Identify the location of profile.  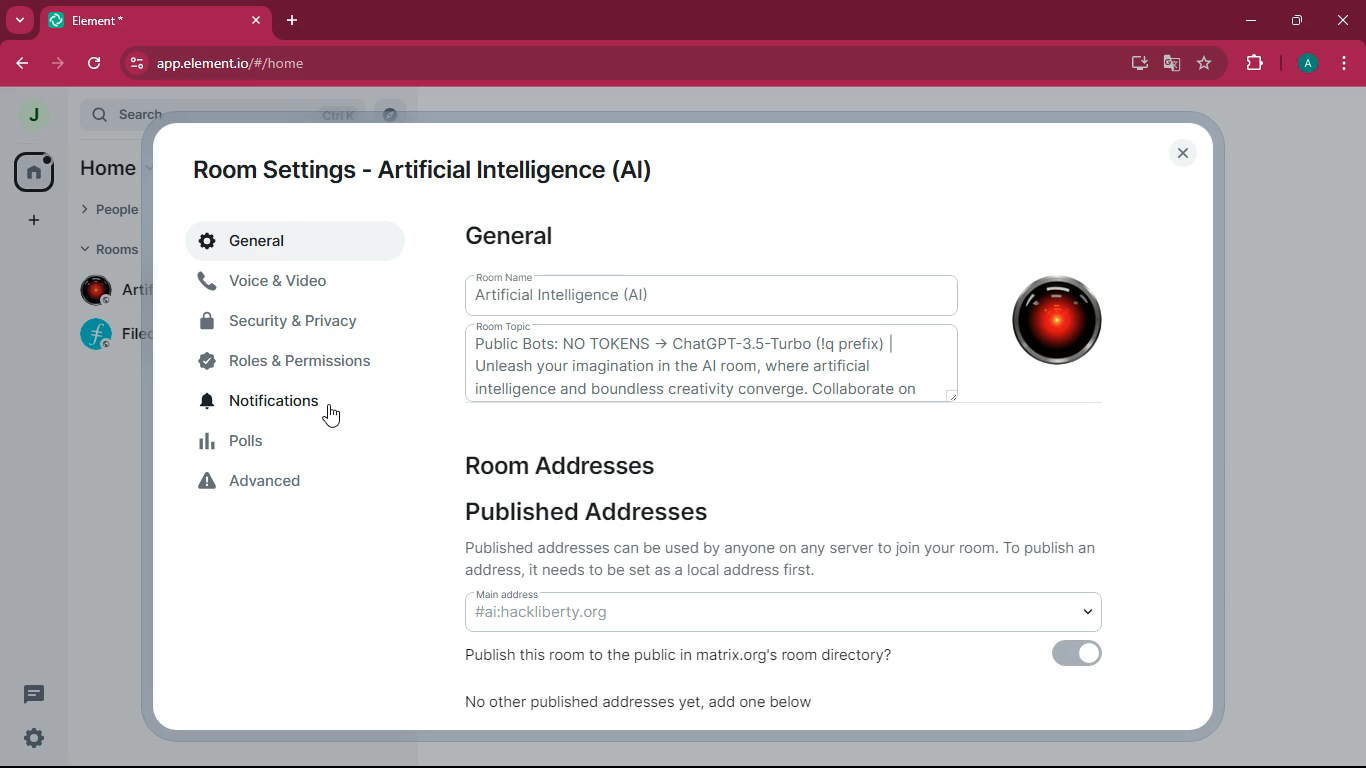
(1309, 65).